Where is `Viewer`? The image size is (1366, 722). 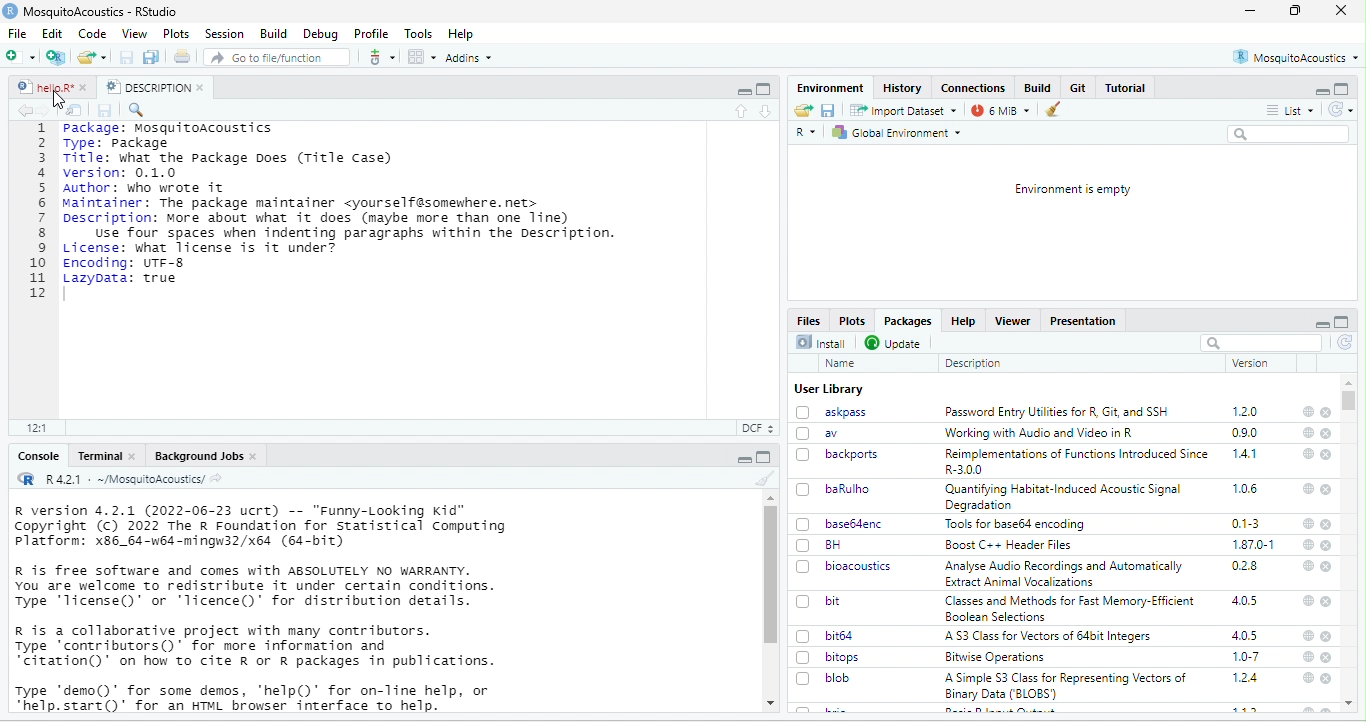
Viewer is located at coordinates (1015, 321).